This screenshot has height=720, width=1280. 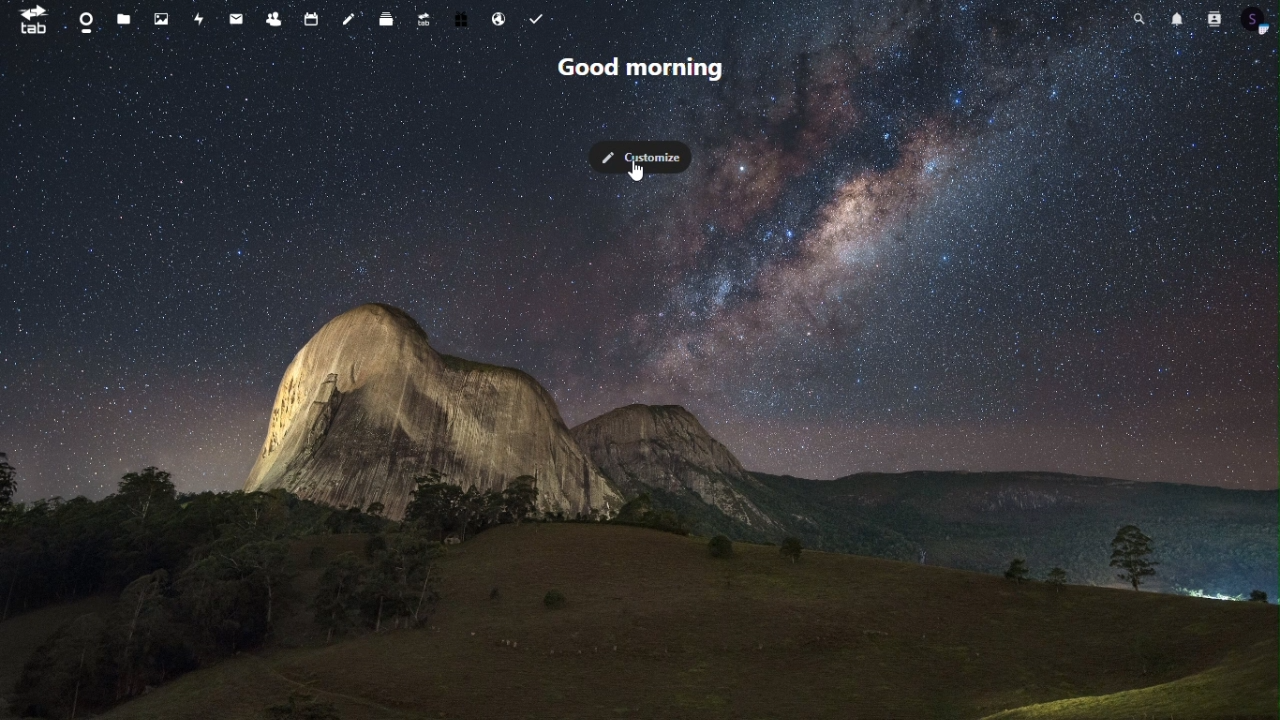 What do you see at coordinates (500, 21) in the screenshot?
I see `mail hosting` at bounding box center [500, 21].